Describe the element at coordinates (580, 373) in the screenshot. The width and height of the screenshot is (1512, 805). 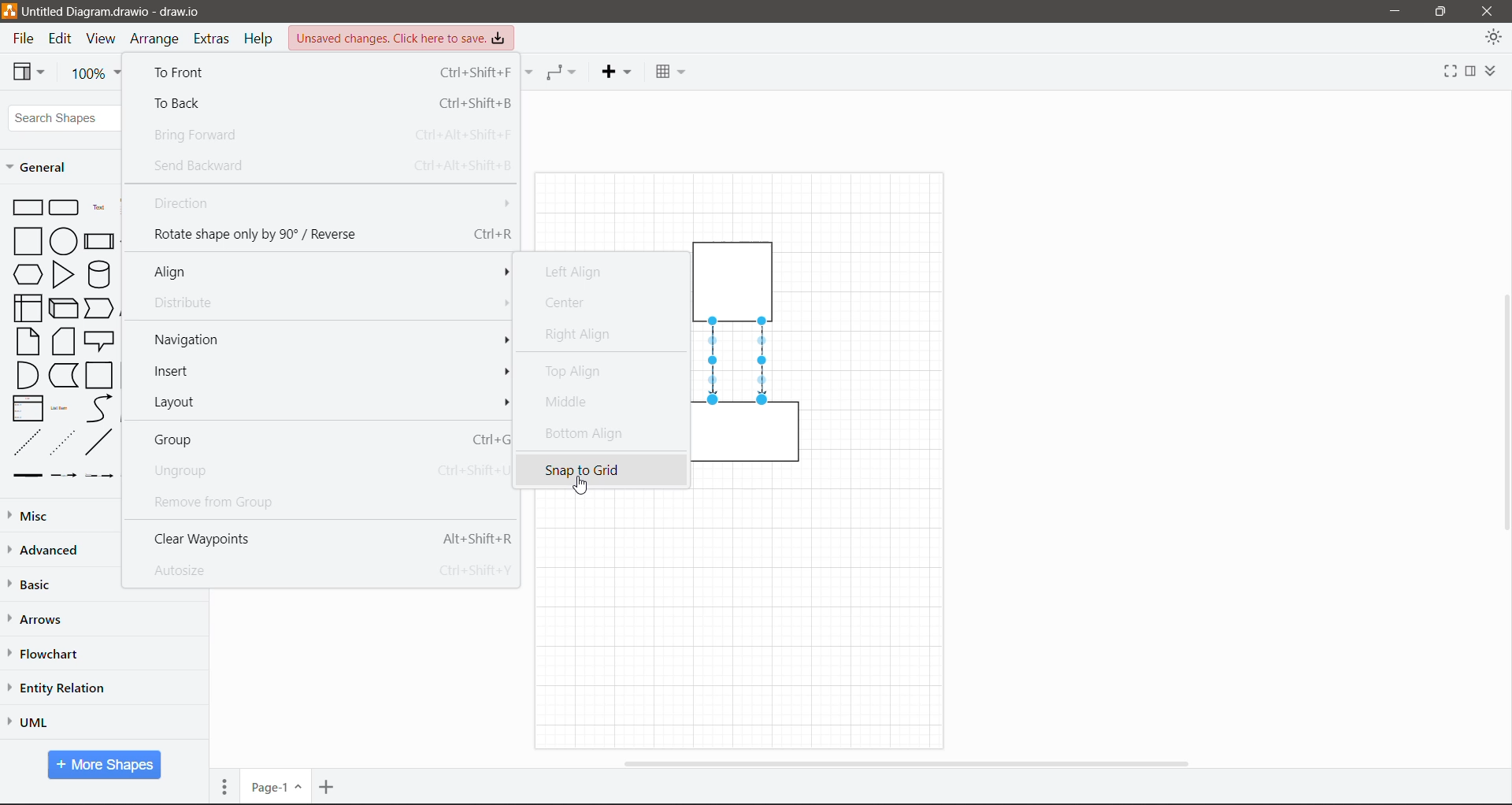
I see `Top Align` at that location.